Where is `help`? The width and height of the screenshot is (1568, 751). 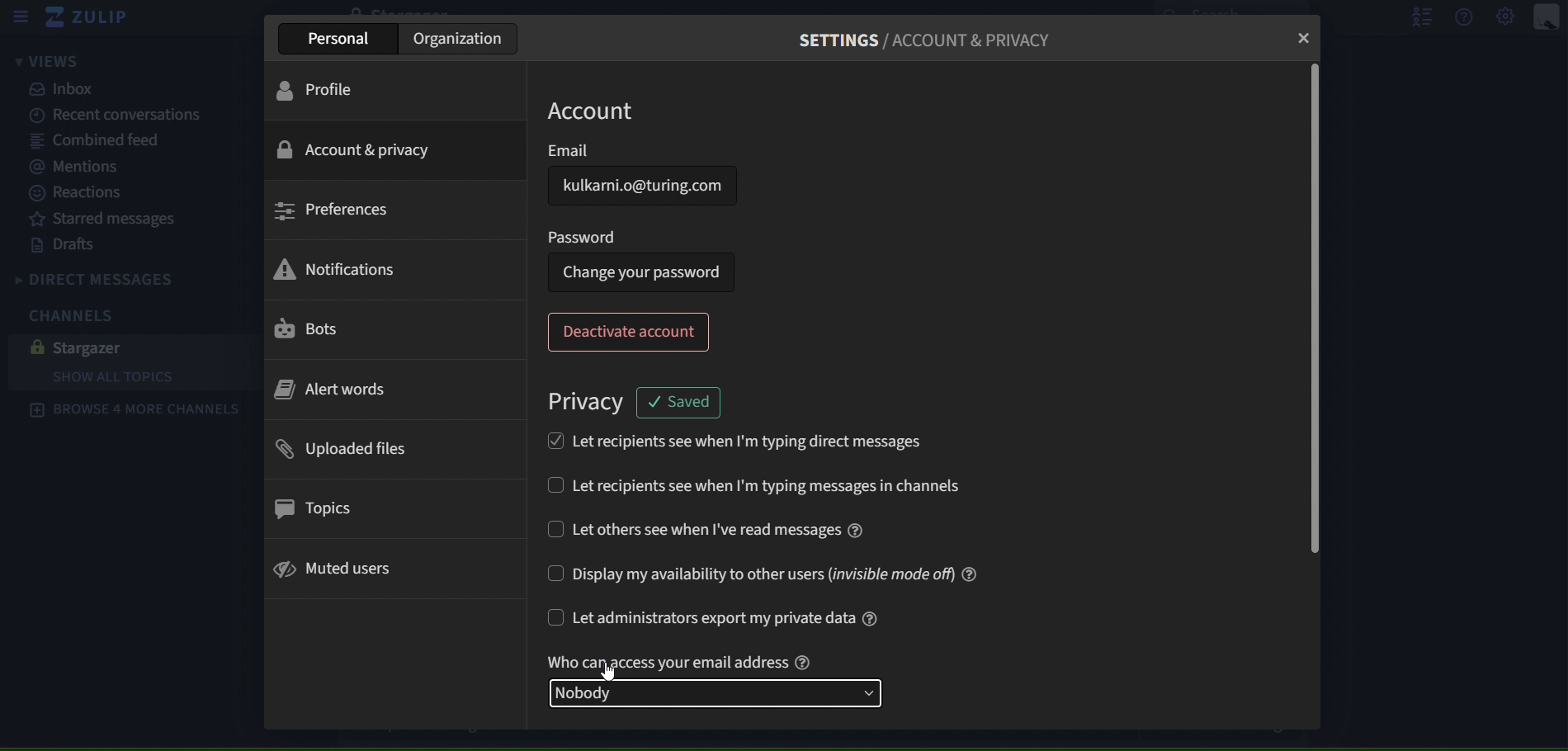 help is located at coordinates (1466, 17).